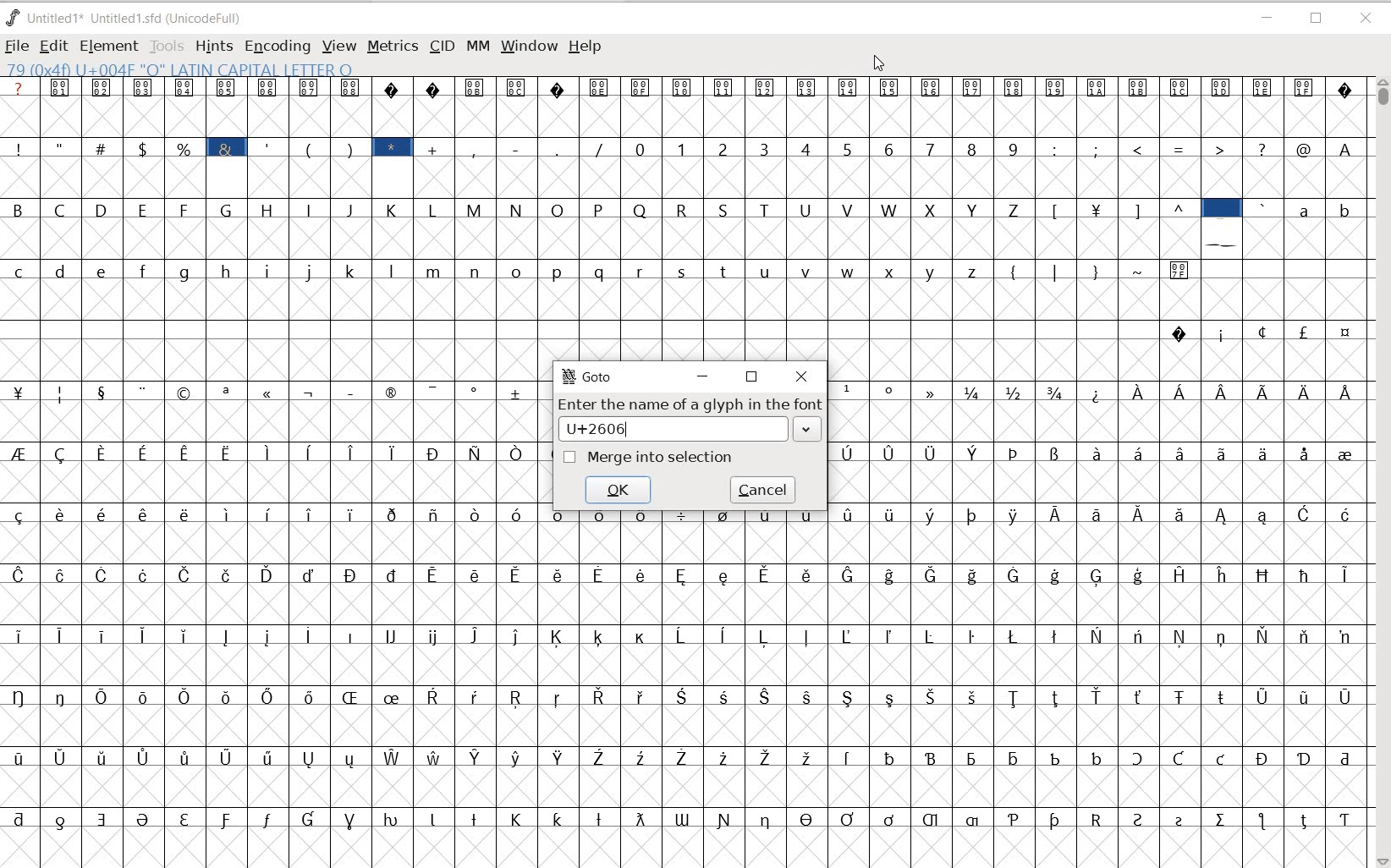 Image resolution: width=1391 pixels, height=868 pixels. What do you see at coordinates (879, 64) in the screenshot?
I see `CURSOR` at bounding box center [879, 64].